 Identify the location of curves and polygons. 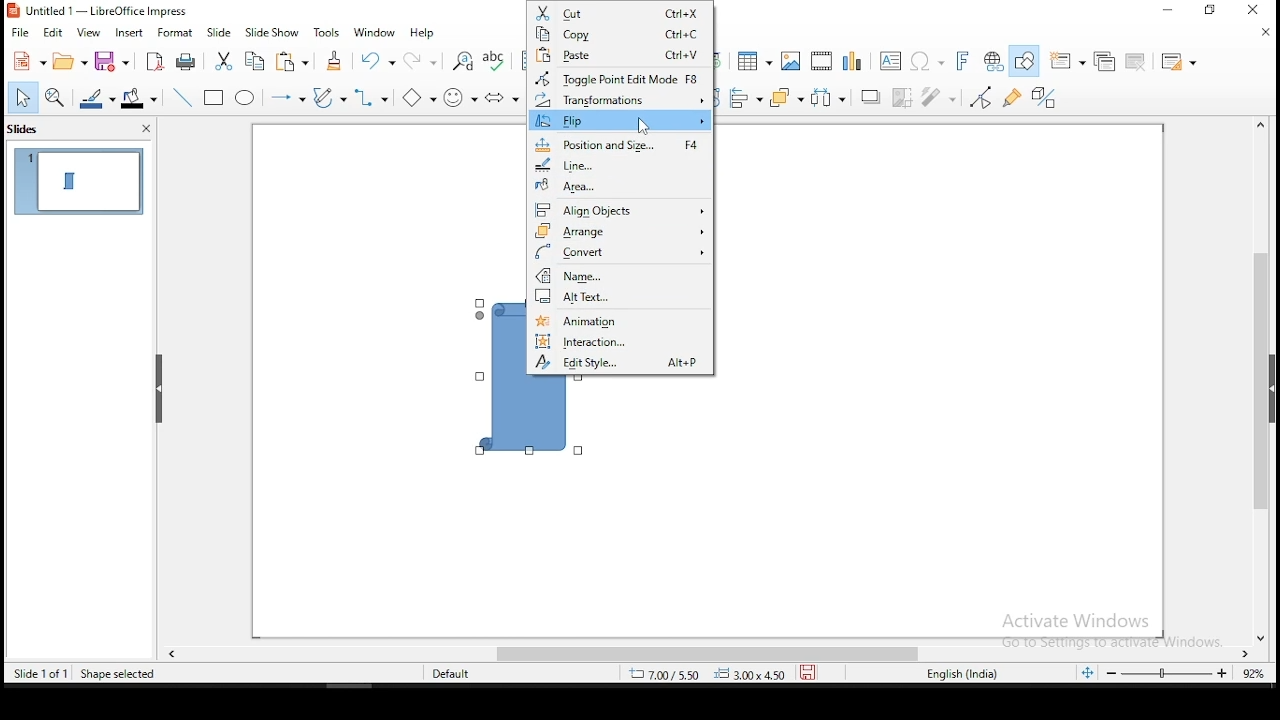
(327, 96).